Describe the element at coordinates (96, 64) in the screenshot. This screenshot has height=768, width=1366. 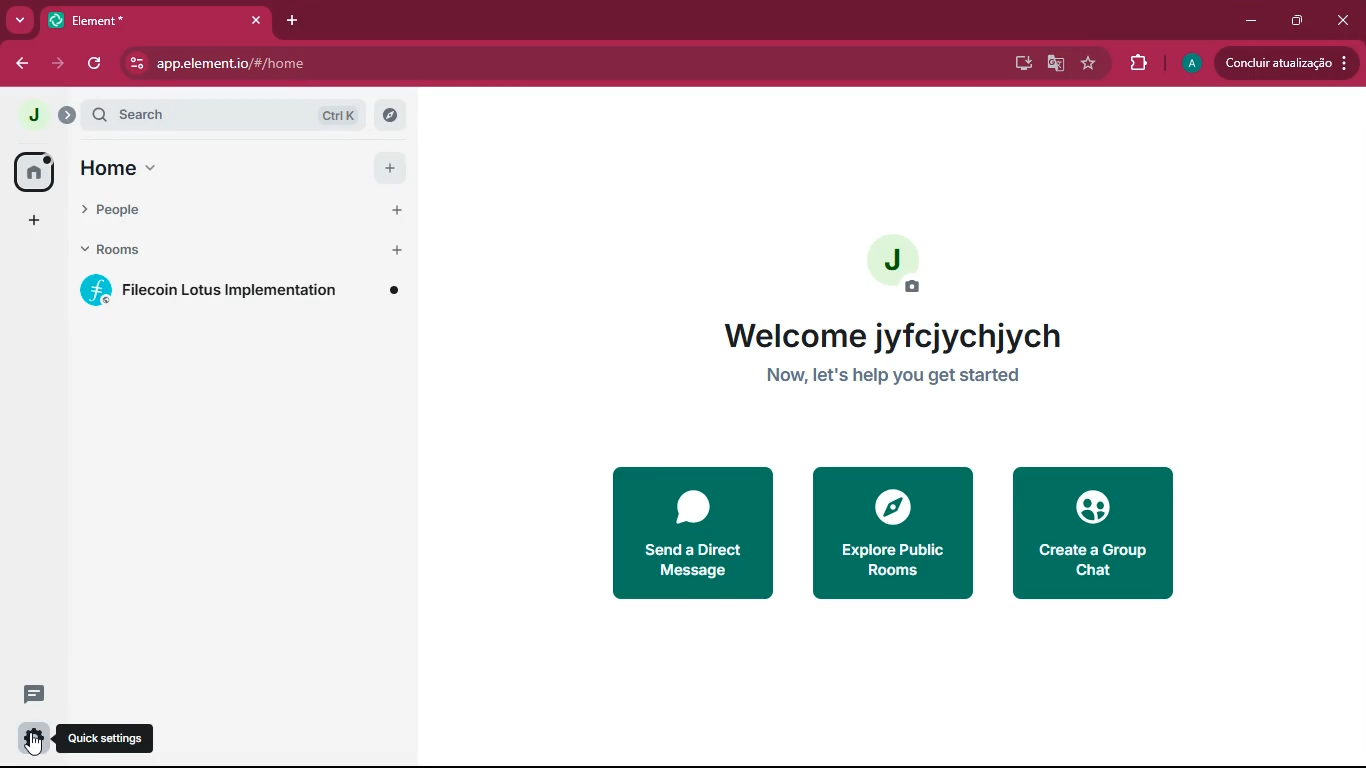
I see `refresh` at that location.